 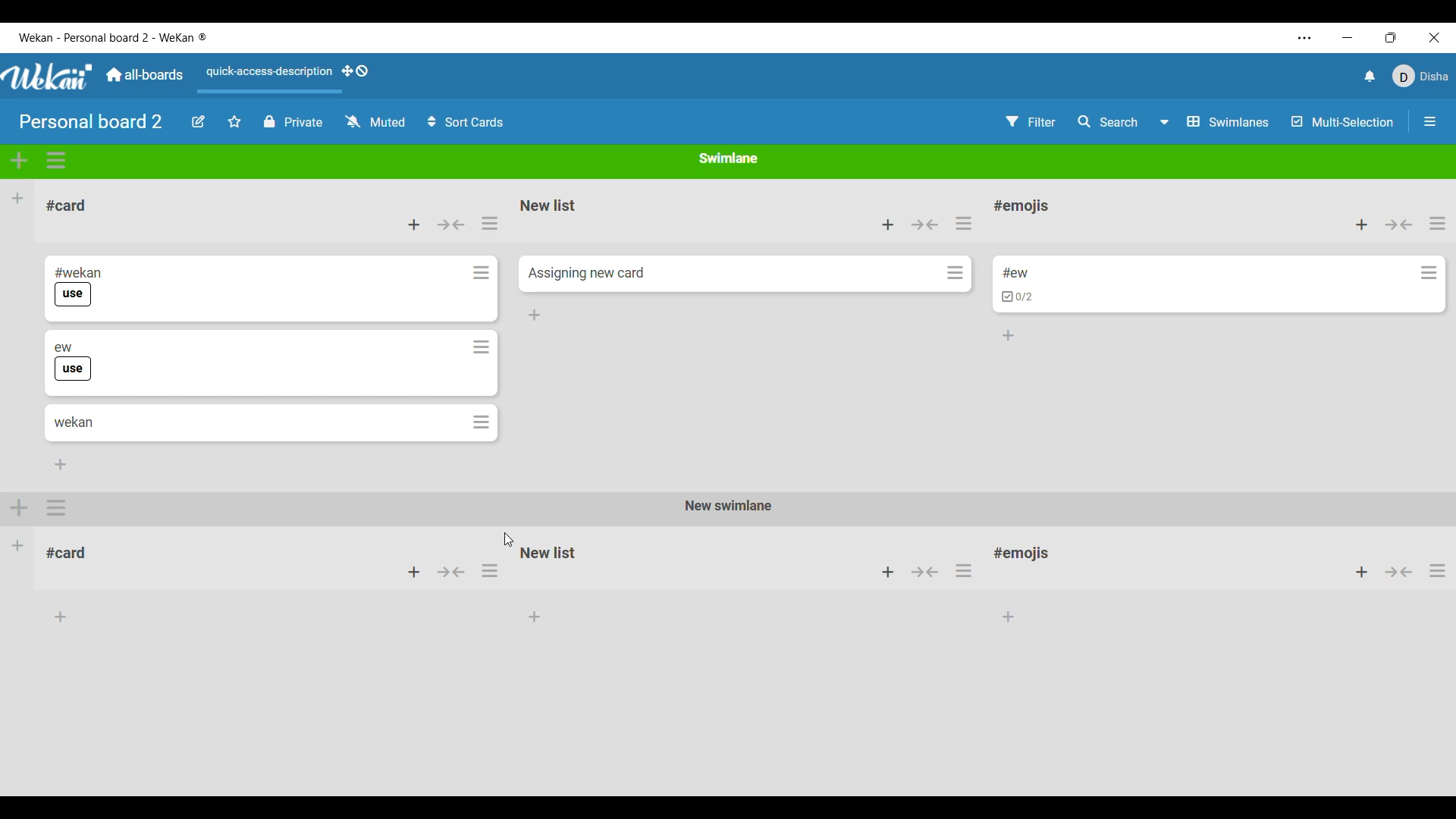 I want to click on Board title, so click(x=92, y=121).